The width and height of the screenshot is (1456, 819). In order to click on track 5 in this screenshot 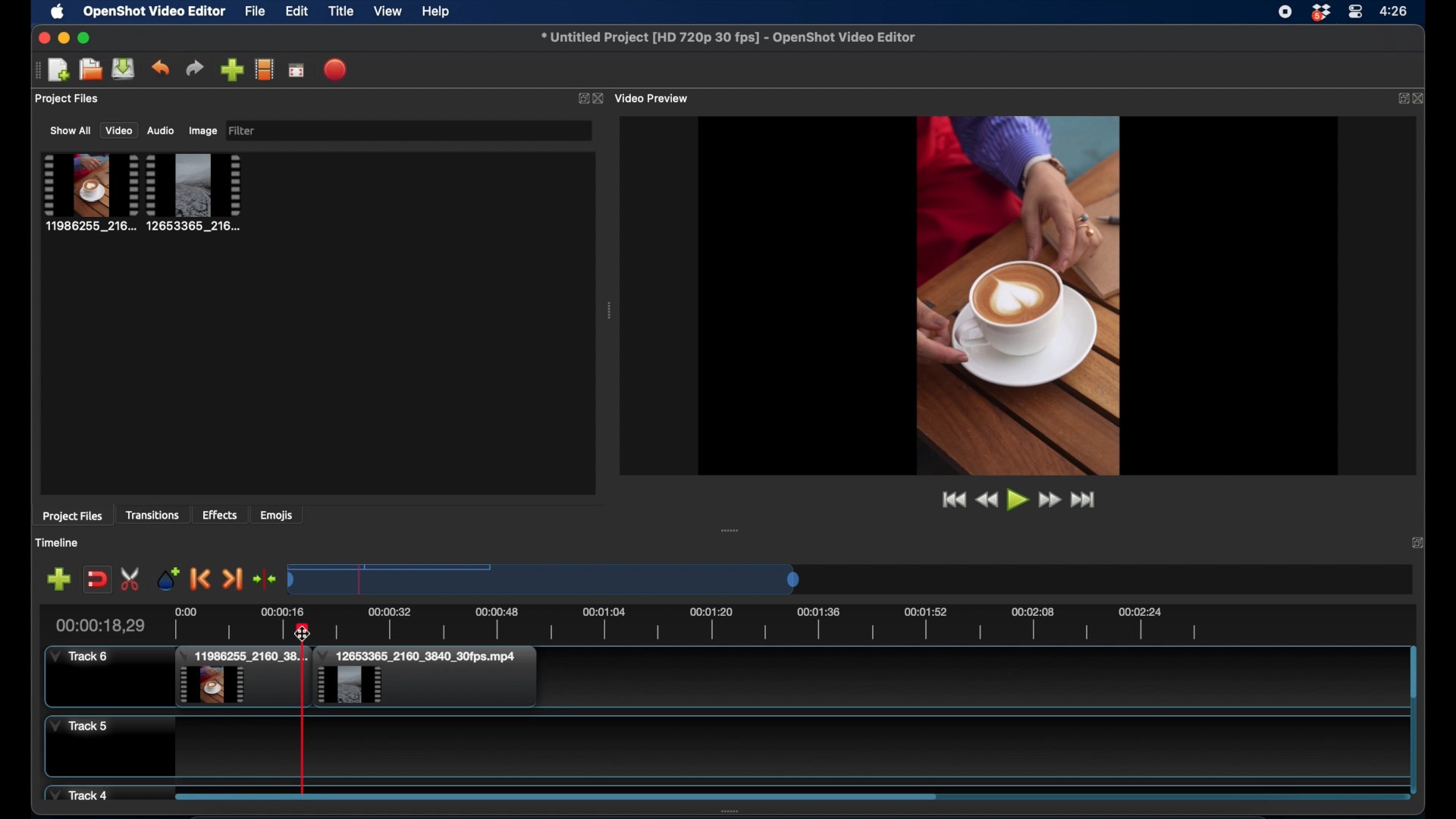, I will do `click(79, 726)`.